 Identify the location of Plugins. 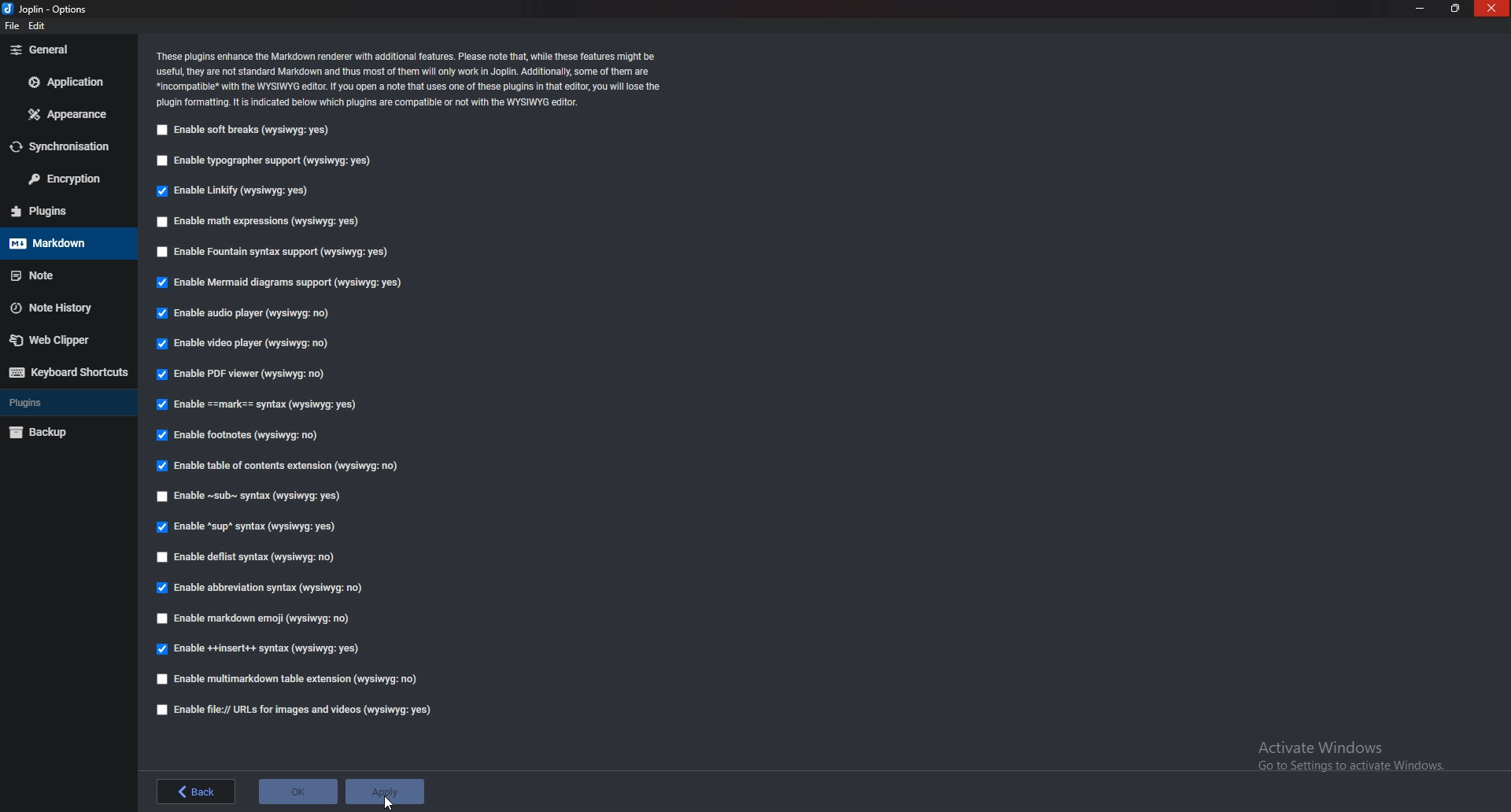
(65, 210).